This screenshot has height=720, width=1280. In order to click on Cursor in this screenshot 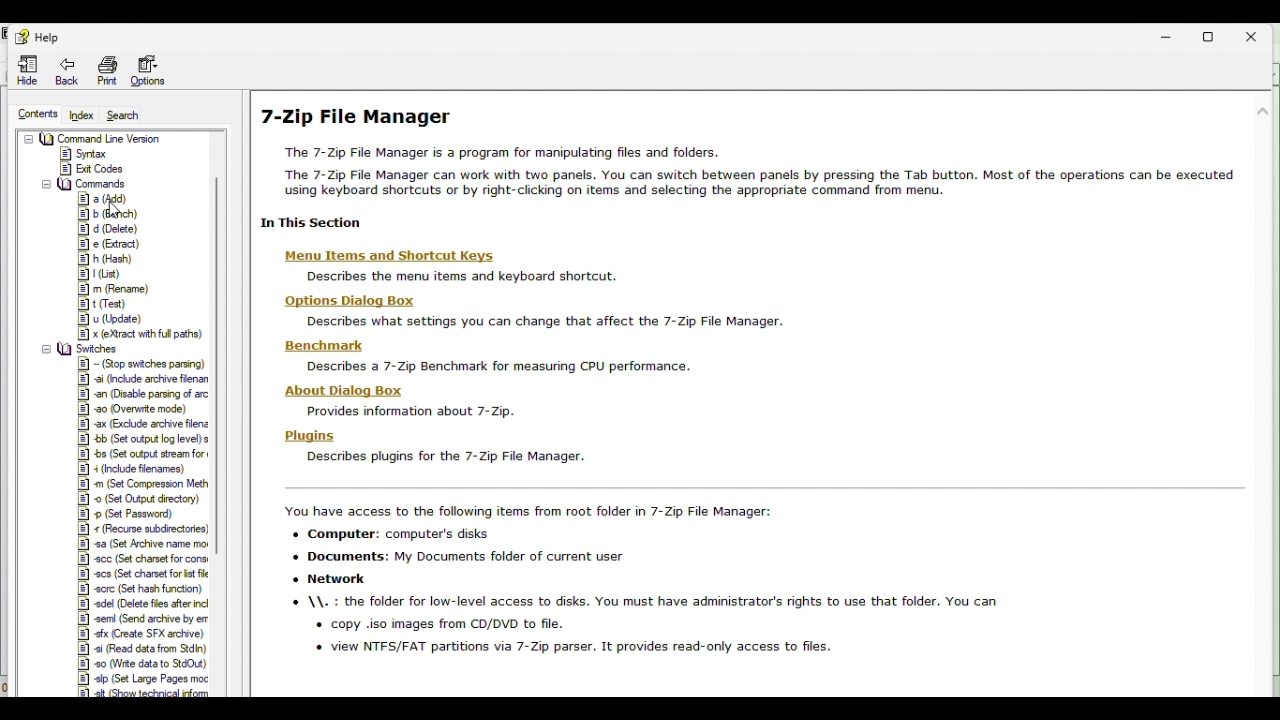, I will do `click(117, 209)`.